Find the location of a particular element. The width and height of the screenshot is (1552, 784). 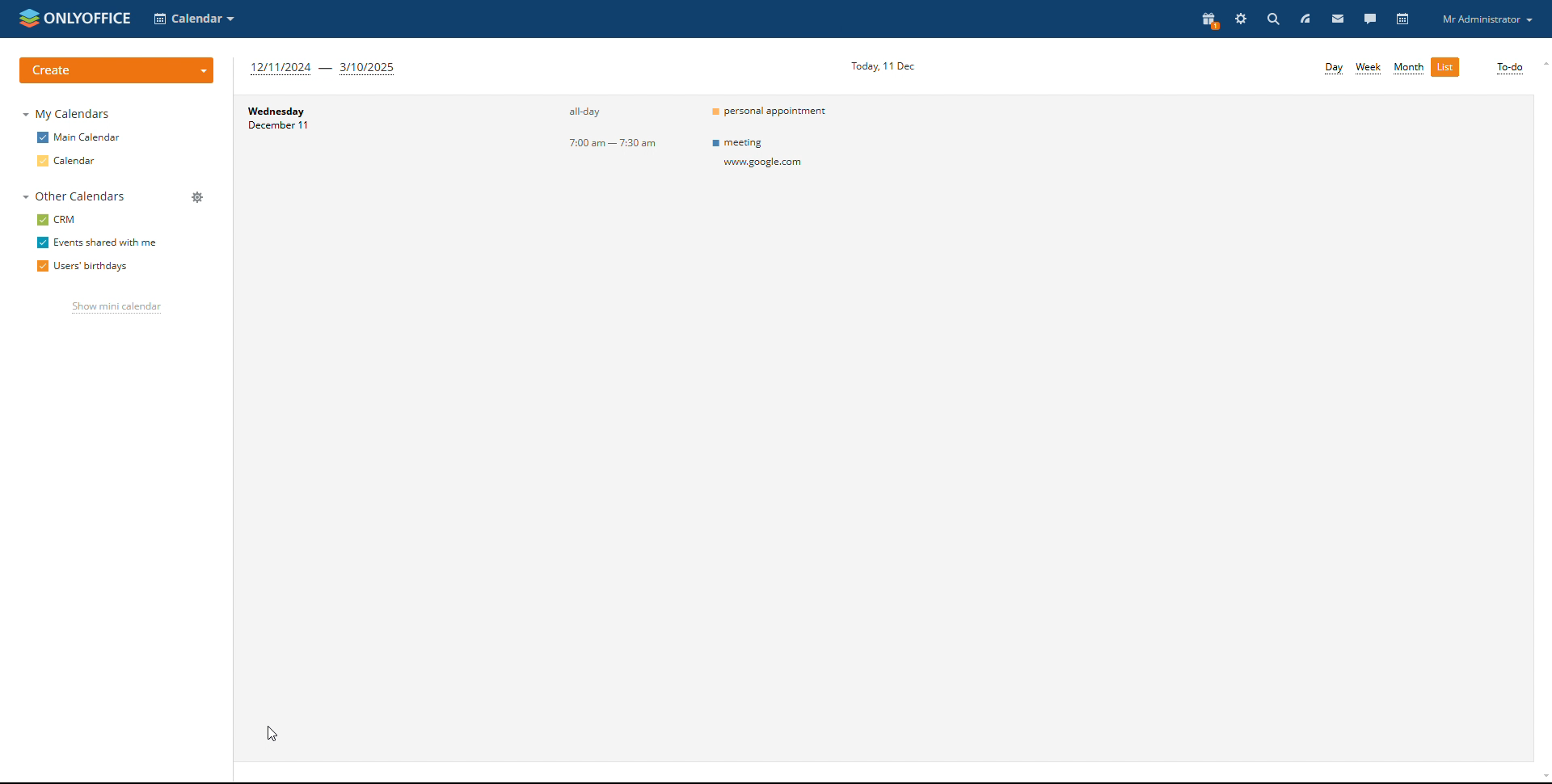

show mini calendar is located at coordinates (116, 309).